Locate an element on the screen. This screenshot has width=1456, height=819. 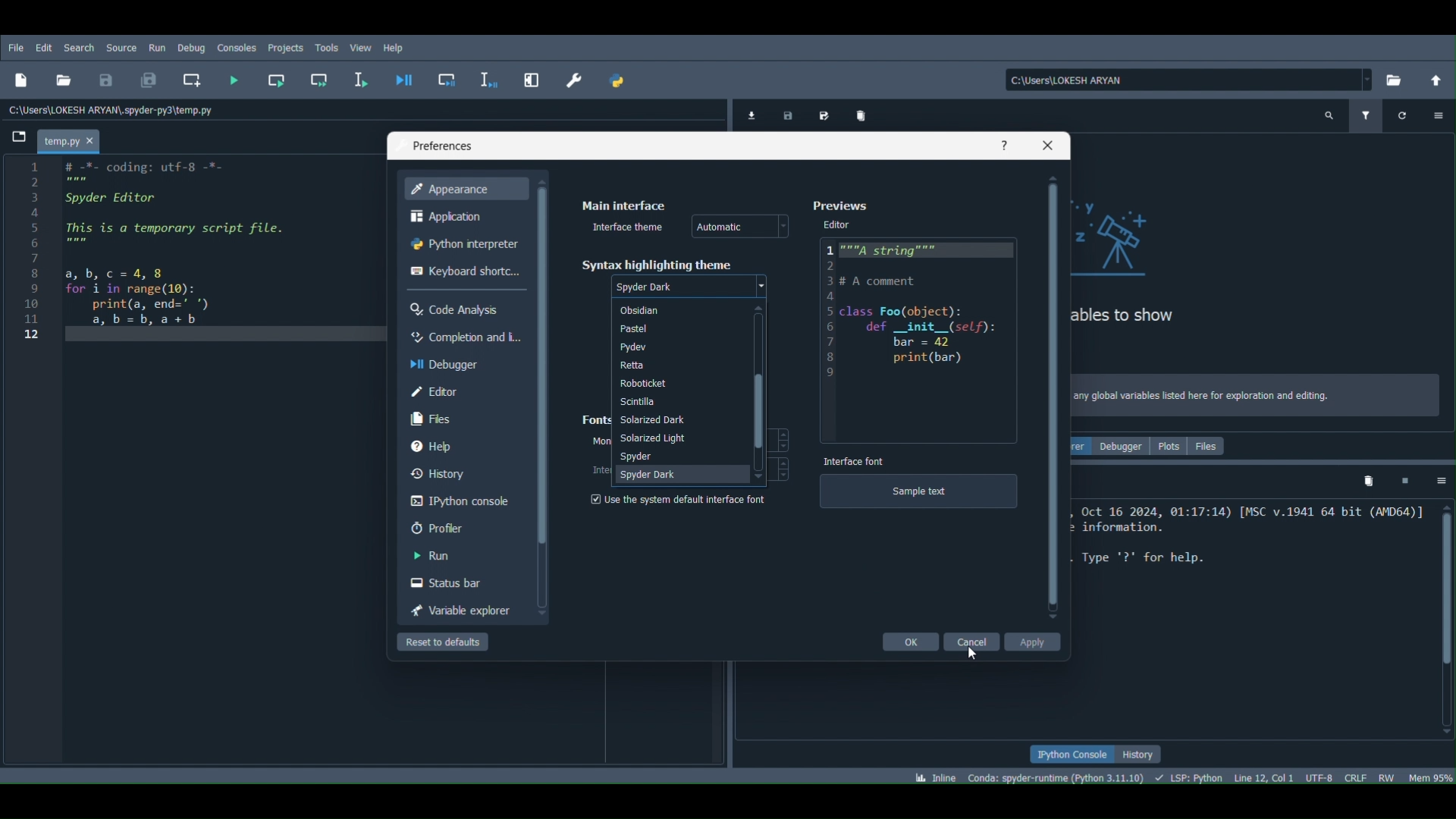
Use the system default  is located at coordinates (676, 500).